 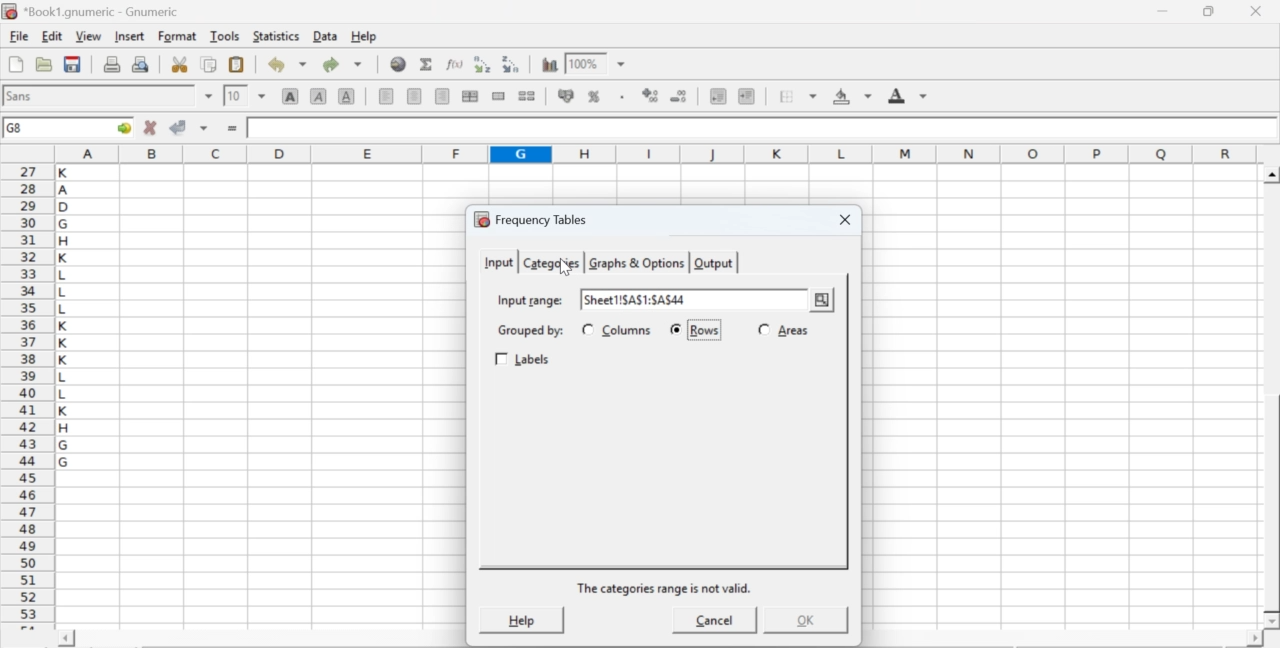 What do you see at coordinates (622, 65) in the screenshot?
I see `drop down` at bounding box center [622, 65].